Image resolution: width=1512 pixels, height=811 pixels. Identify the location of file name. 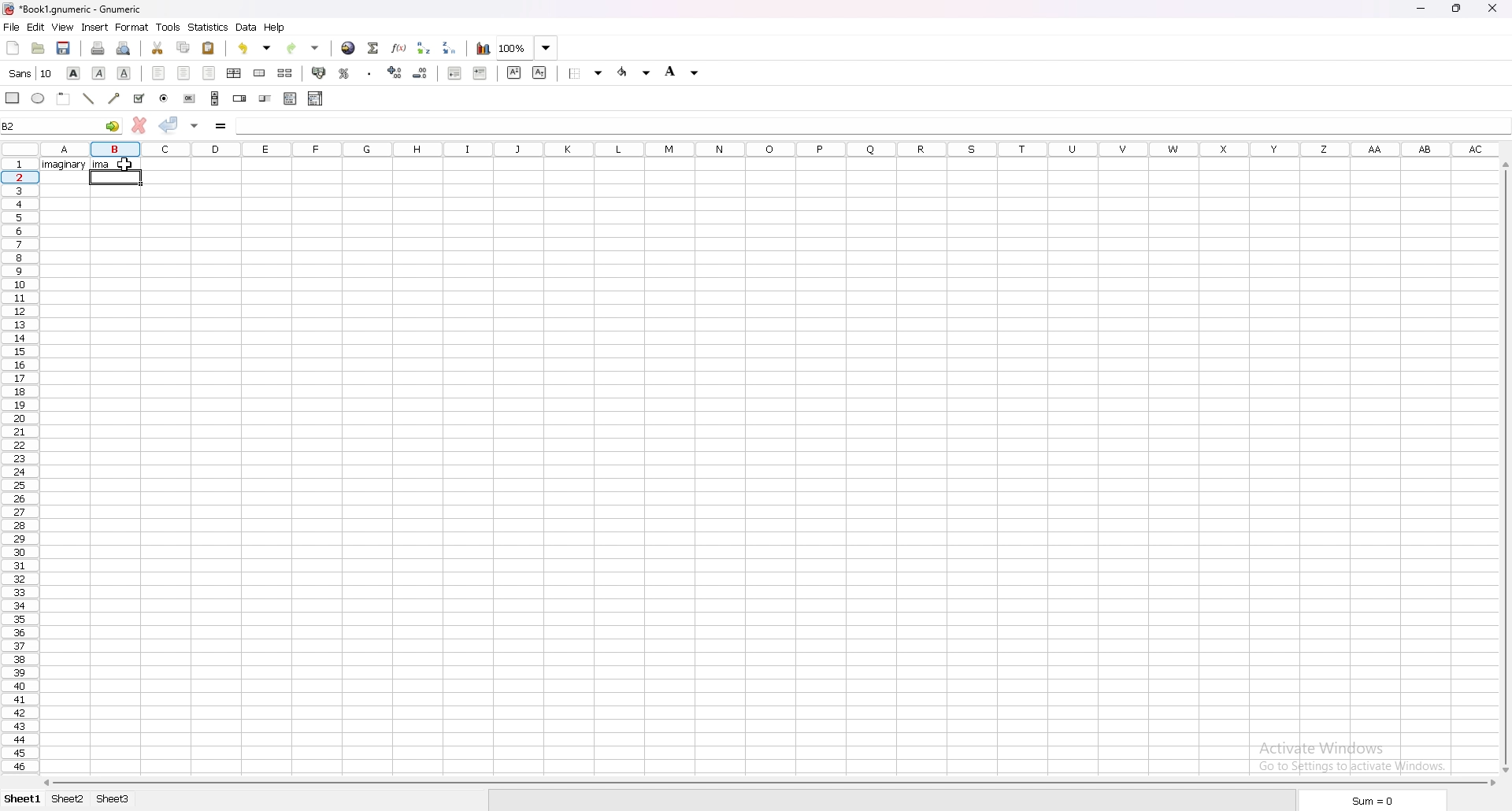
(72, 9).